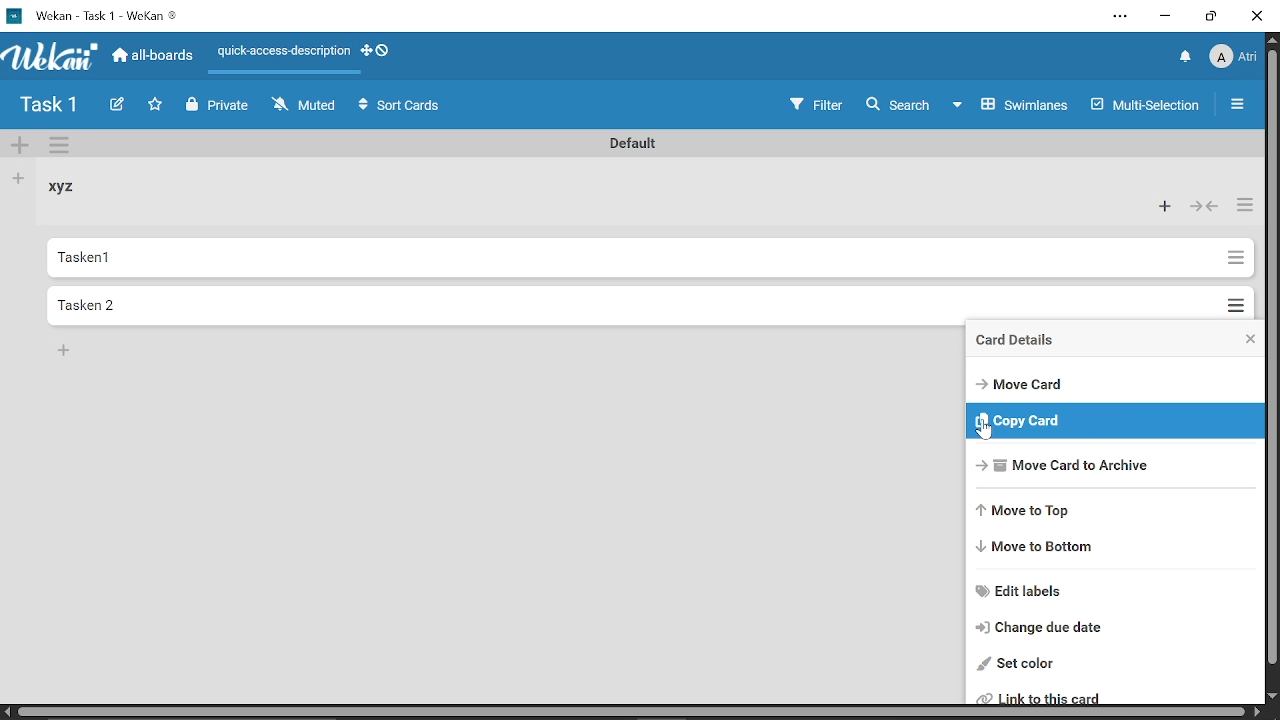  What do you see at coordinates (1187, 57) in the screenshot?
I see `Notifications` at bounding box center [1187, 57].